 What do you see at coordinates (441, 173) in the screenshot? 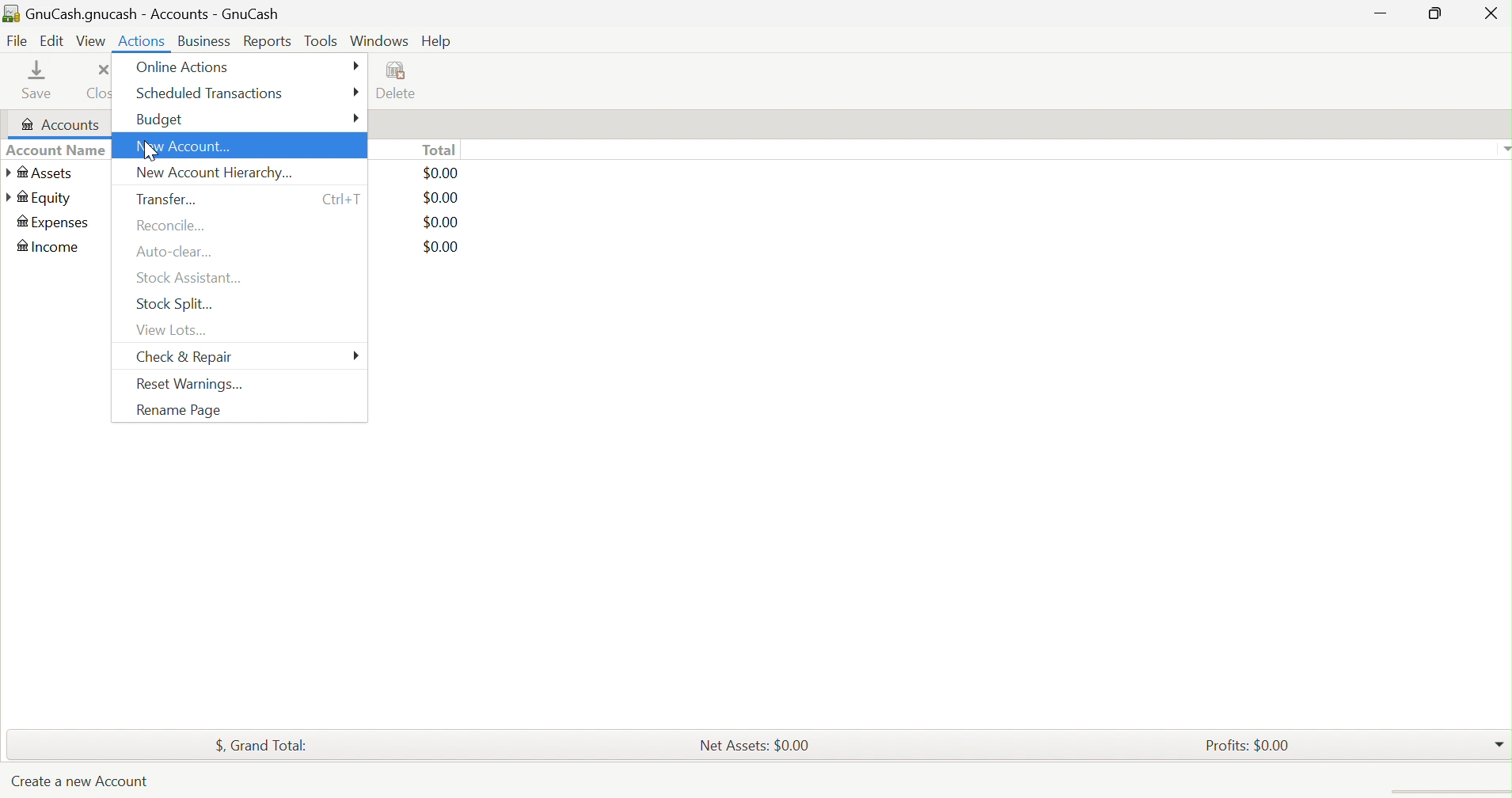
I see `$0.00` at bounding box center [441, 173].